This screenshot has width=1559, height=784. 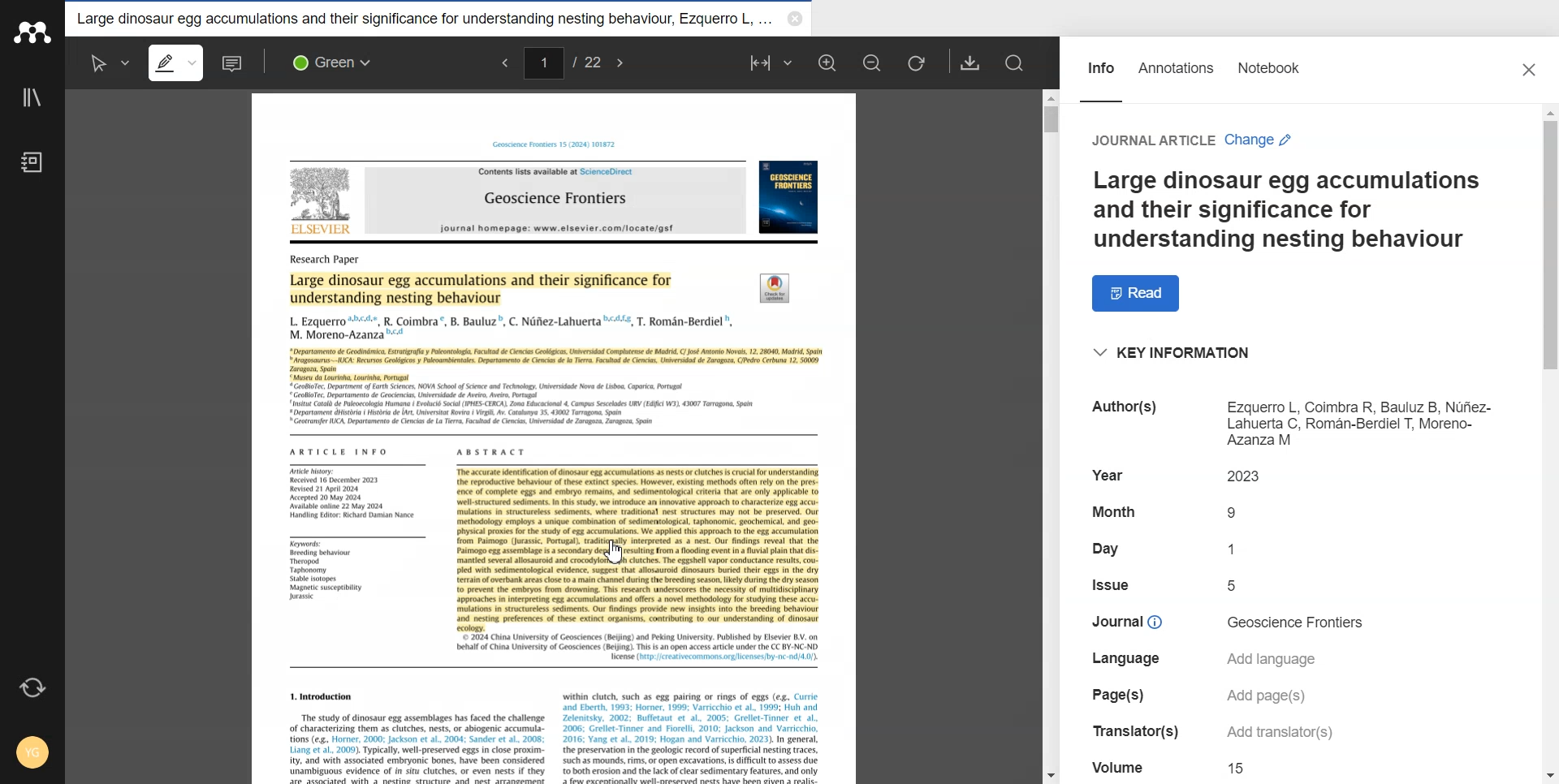 What do you see at coordinates (501, 64) in the screenshot?
I see `previous page` at bounding box center [501, 64].